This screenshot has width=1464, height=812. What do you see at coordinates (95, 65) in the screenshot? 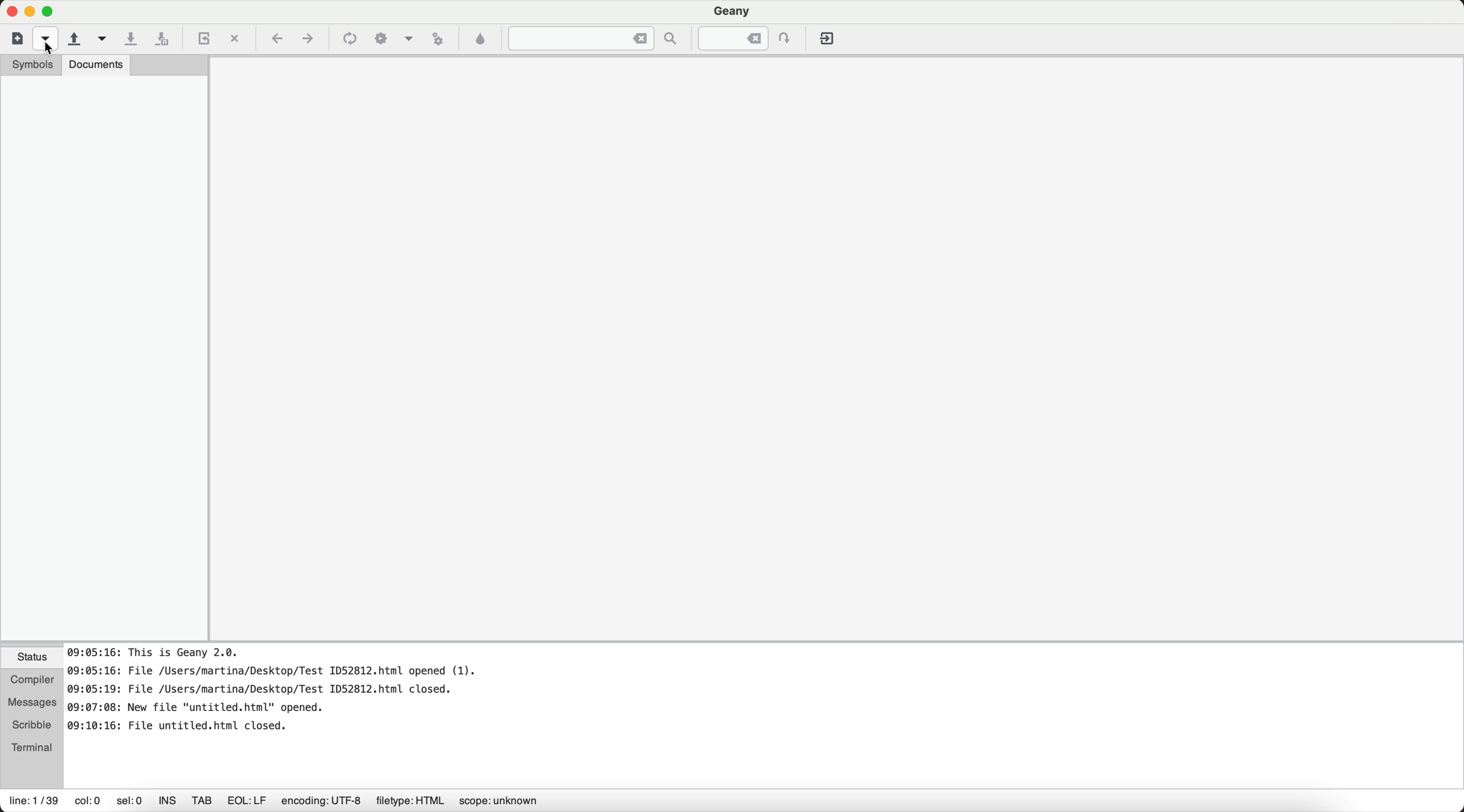
I see `documents` at bounding box center [95, 65].